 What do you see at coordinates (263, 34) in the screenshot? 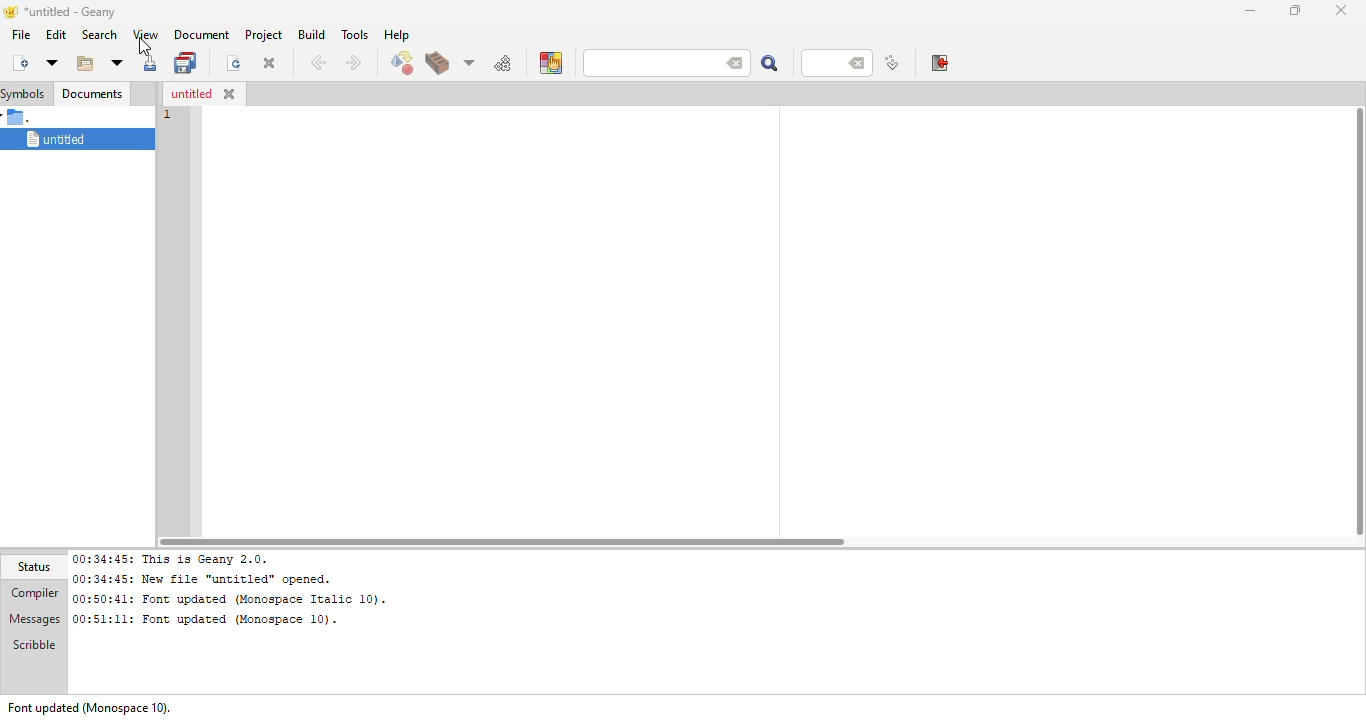
I see `project` at bounding box center [263, 34].